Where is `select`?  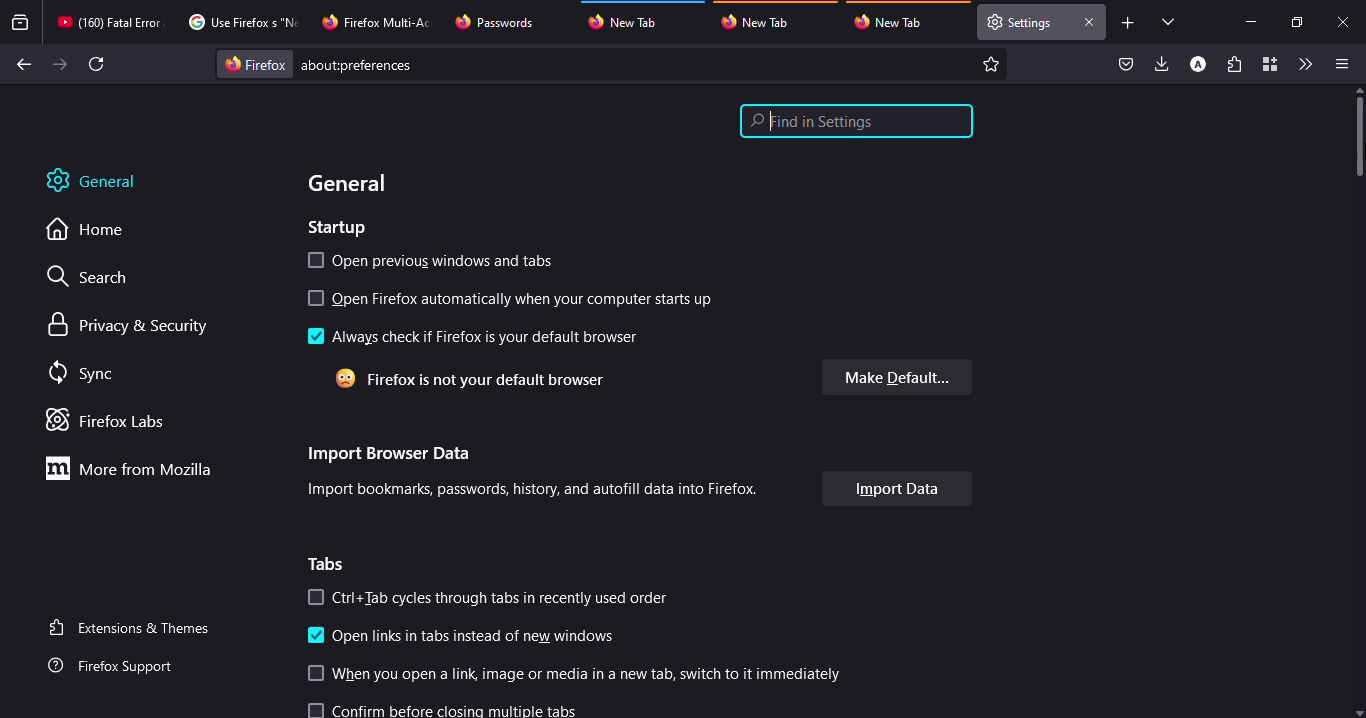 select is located at coordinates (316, 597).